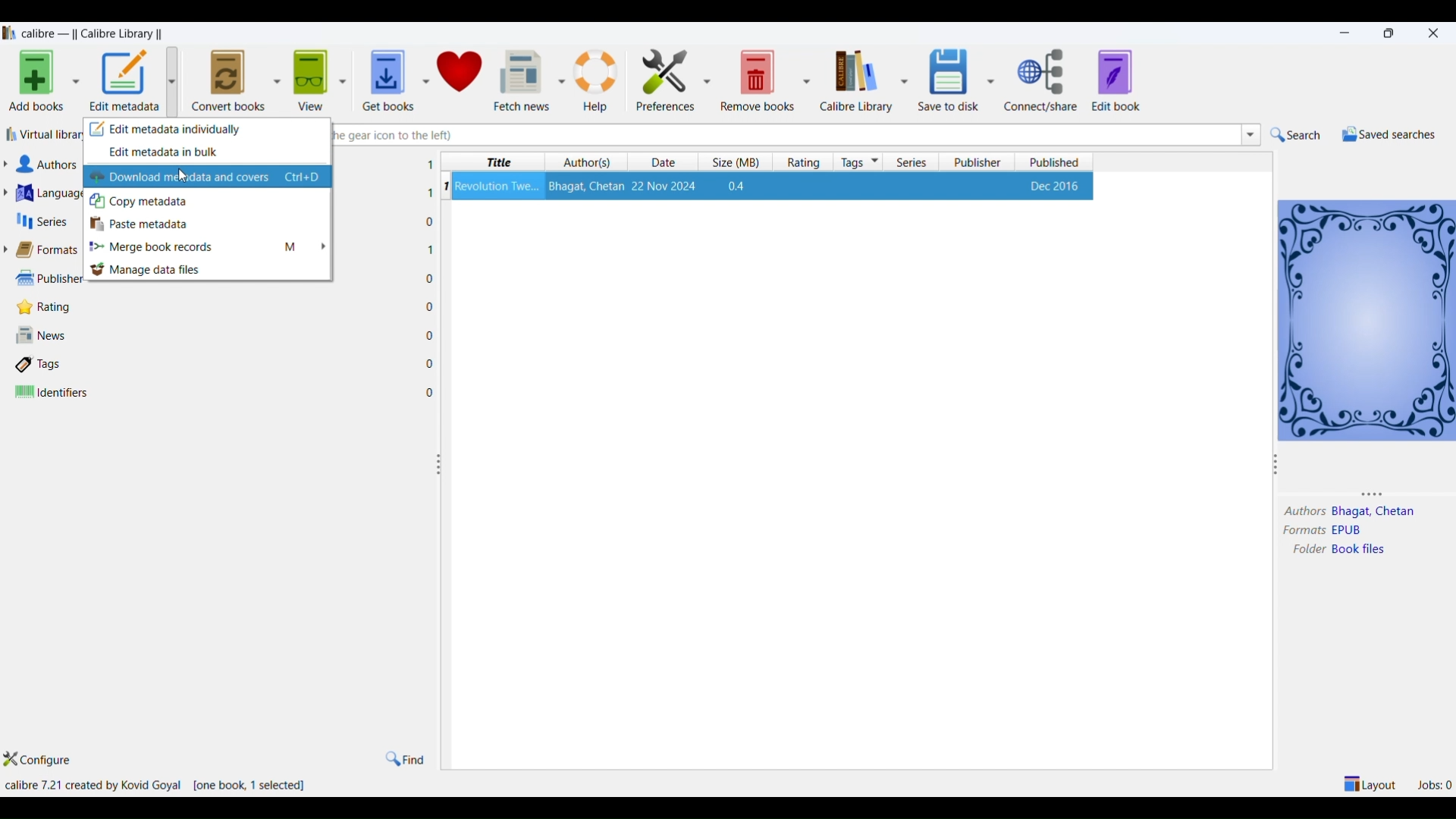 Image resolution: width=1456 pixels, height=819 pixels. Describe the element at coordinates (308, 76) in the screenshot. I see `view` at that location.